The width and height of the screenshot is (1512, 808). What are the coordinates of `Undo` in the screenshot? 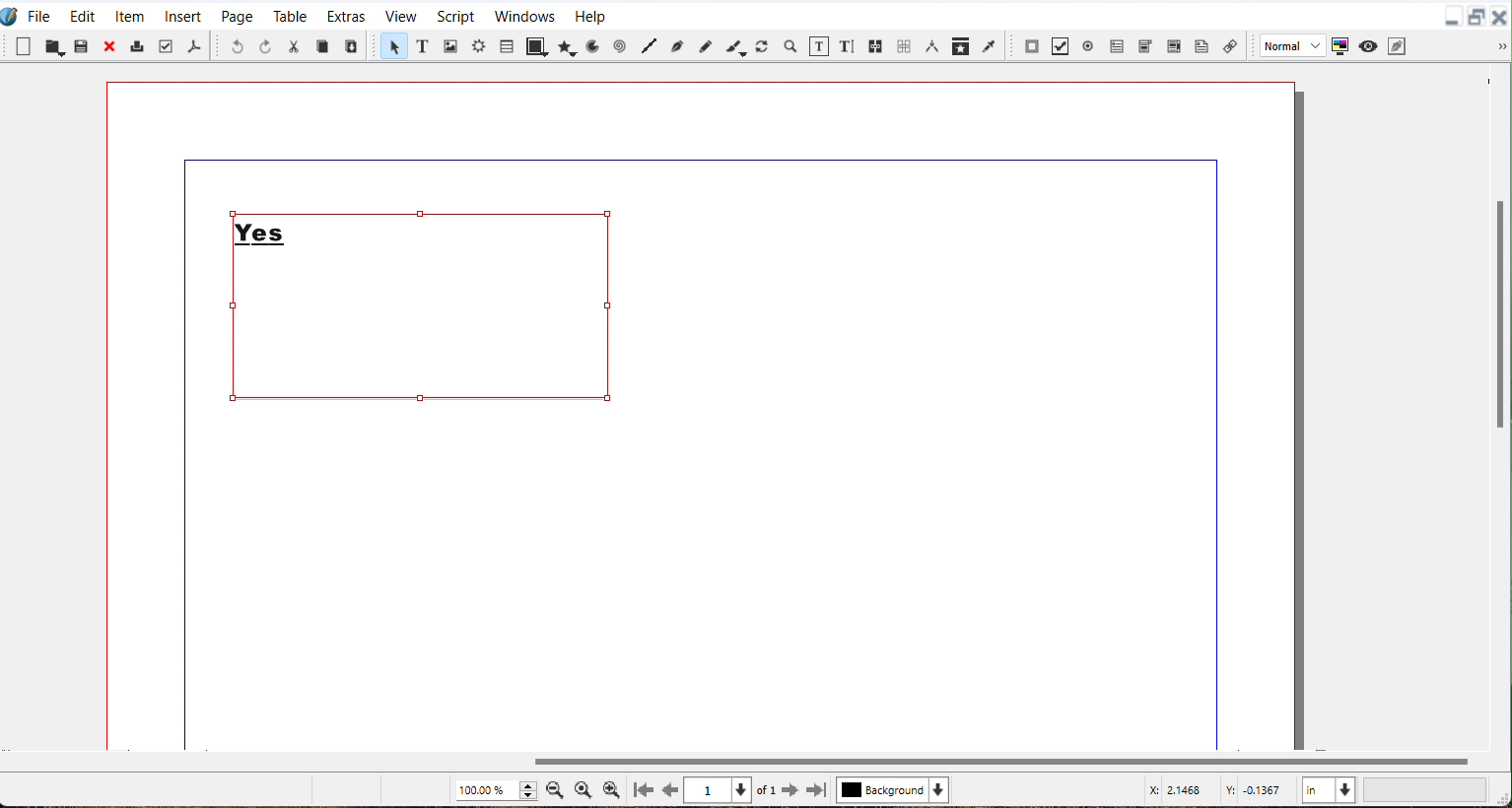 It's located at (238, 46).